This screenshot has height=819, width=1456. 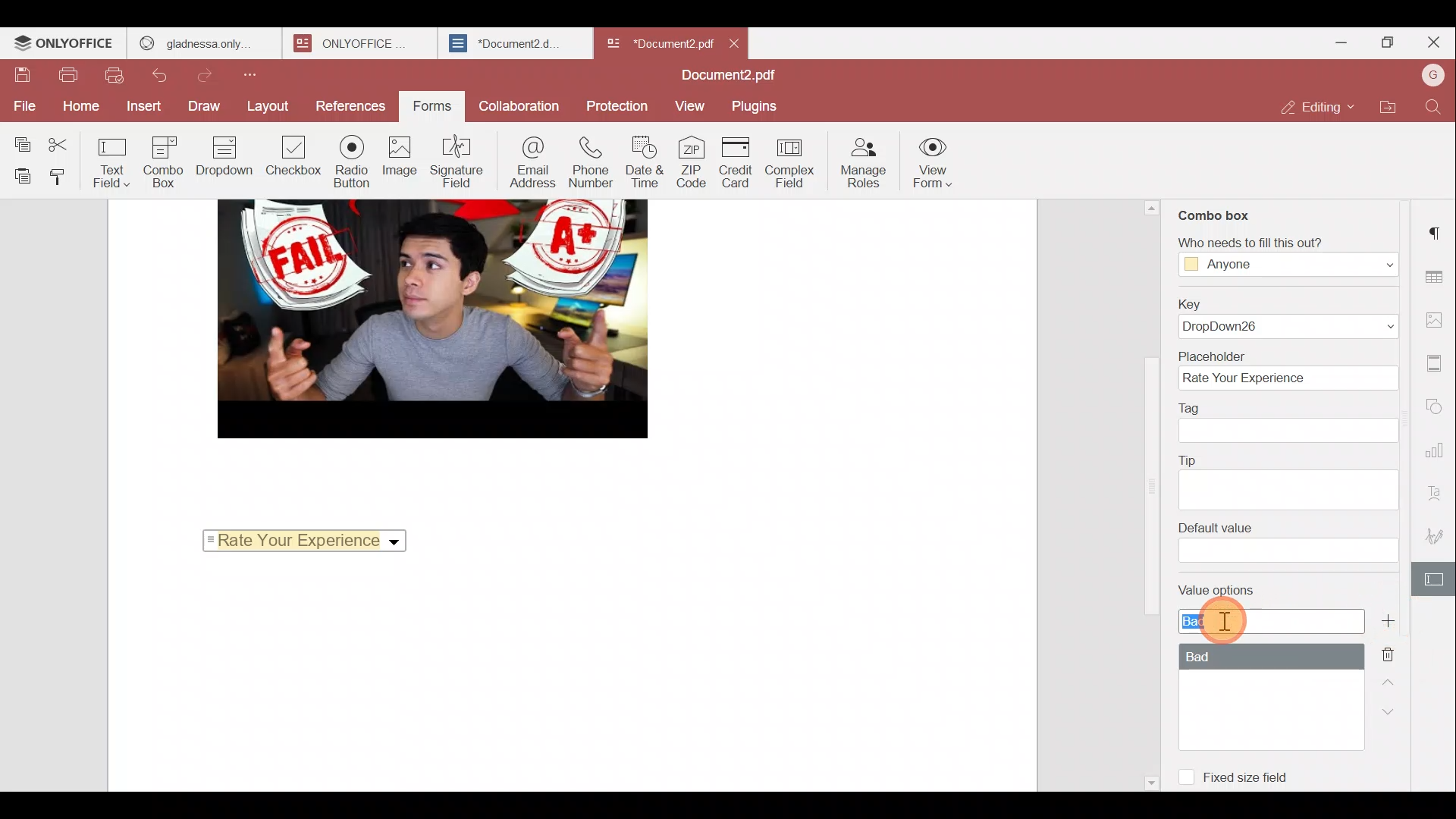 I want to click on Protection, so click(x=616, y=103).